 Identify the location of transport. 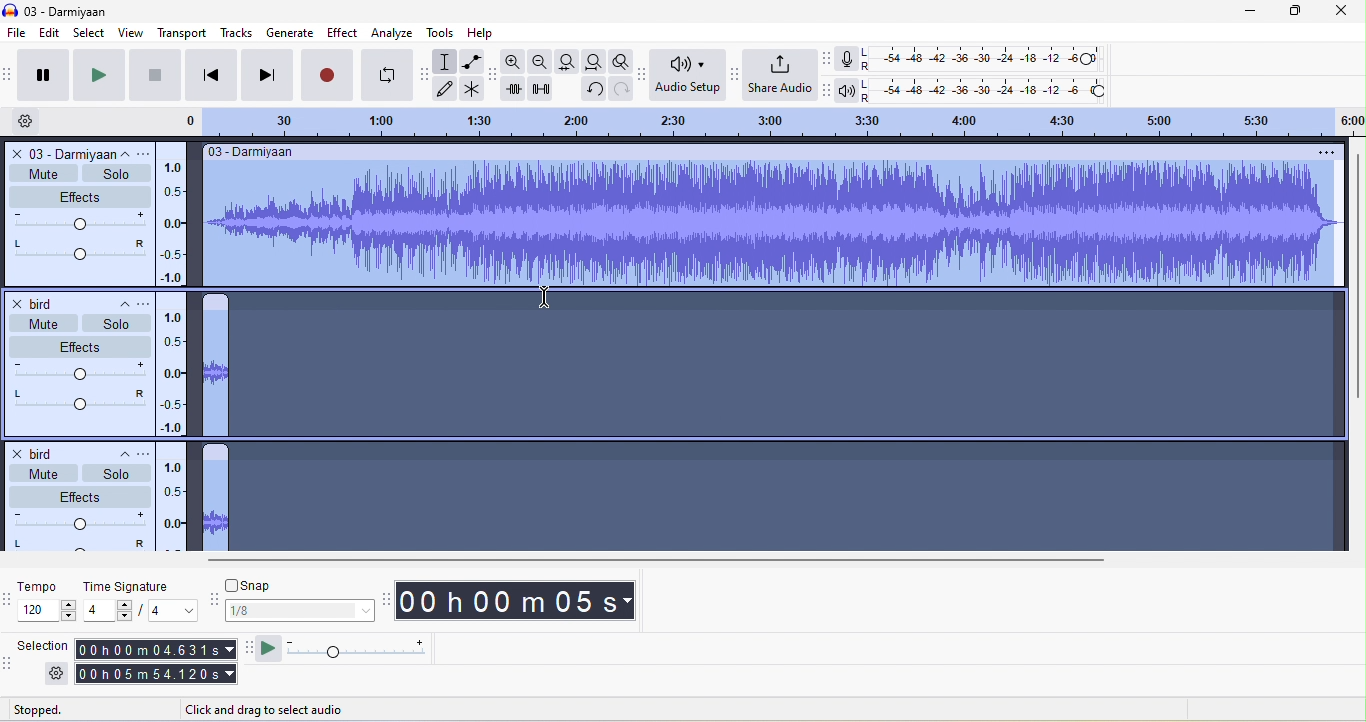
(178, 34).